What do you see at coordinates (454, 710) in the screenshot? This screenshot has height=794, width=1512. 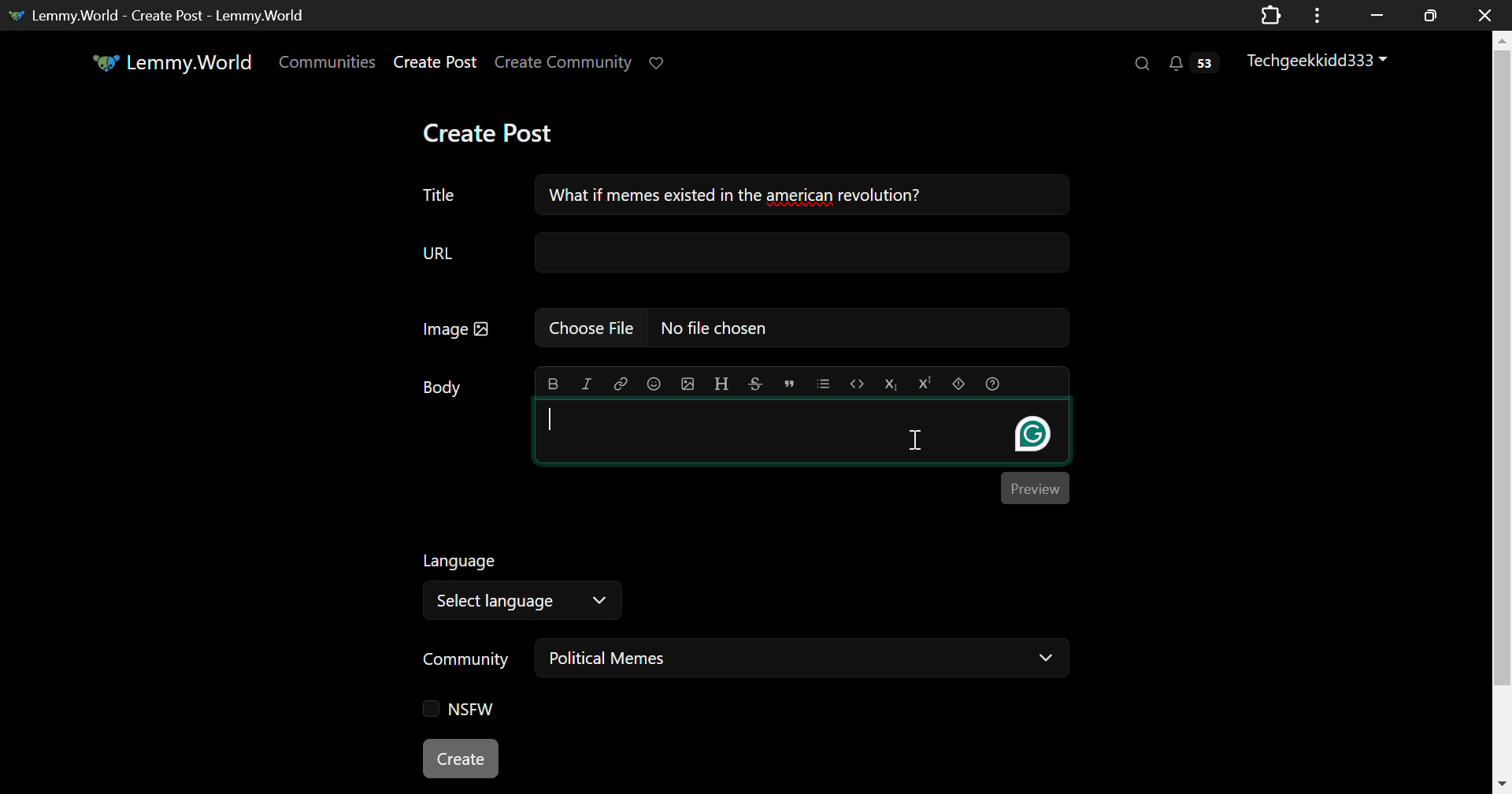 I see `NSFW Checkbox` at bounding box center [454, 710].